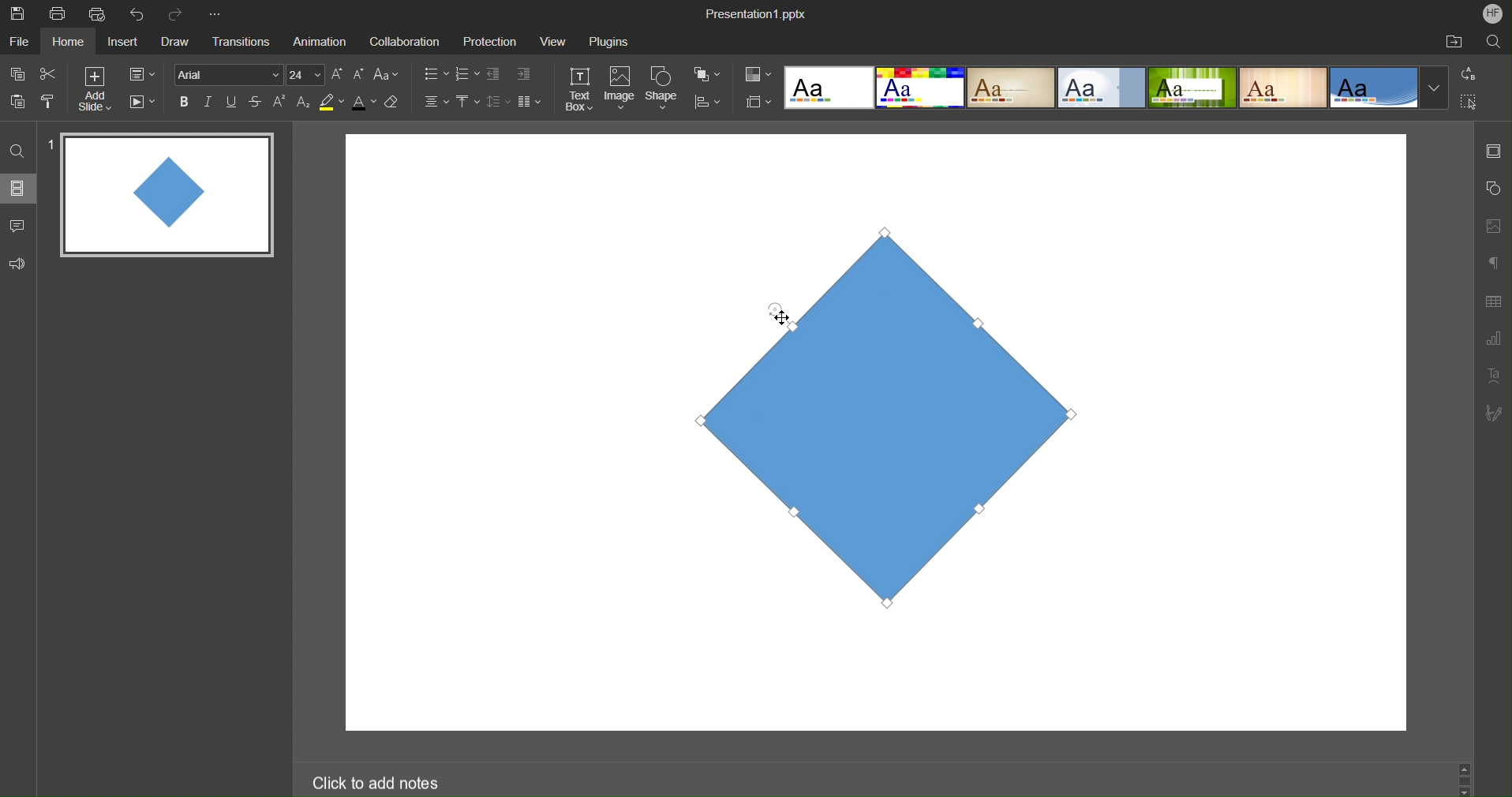 Image resolution: width=1512 pixels, height=797 pixels. Describe the element at coordinates (137, 11) in the screenshot. I see `Undo` at that location.